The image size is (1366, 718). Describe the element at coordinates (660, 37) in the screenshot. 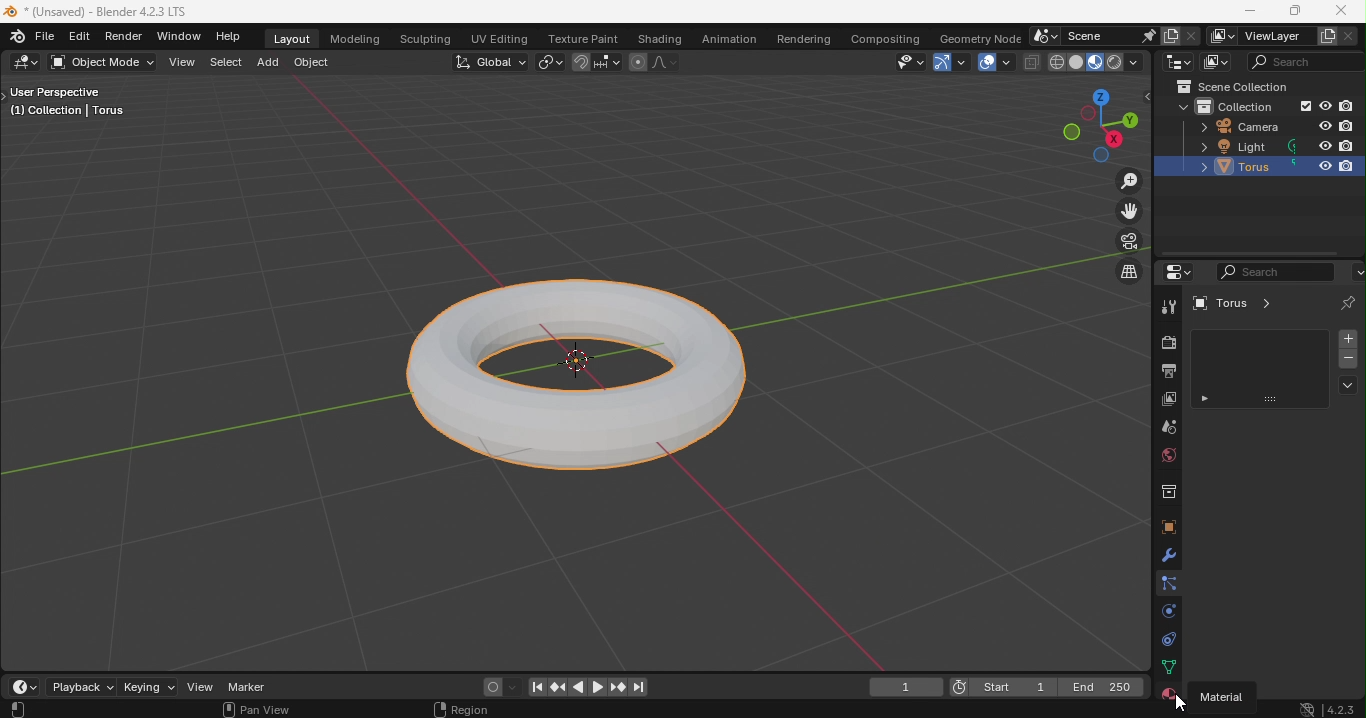

I see `Shading` at that location.